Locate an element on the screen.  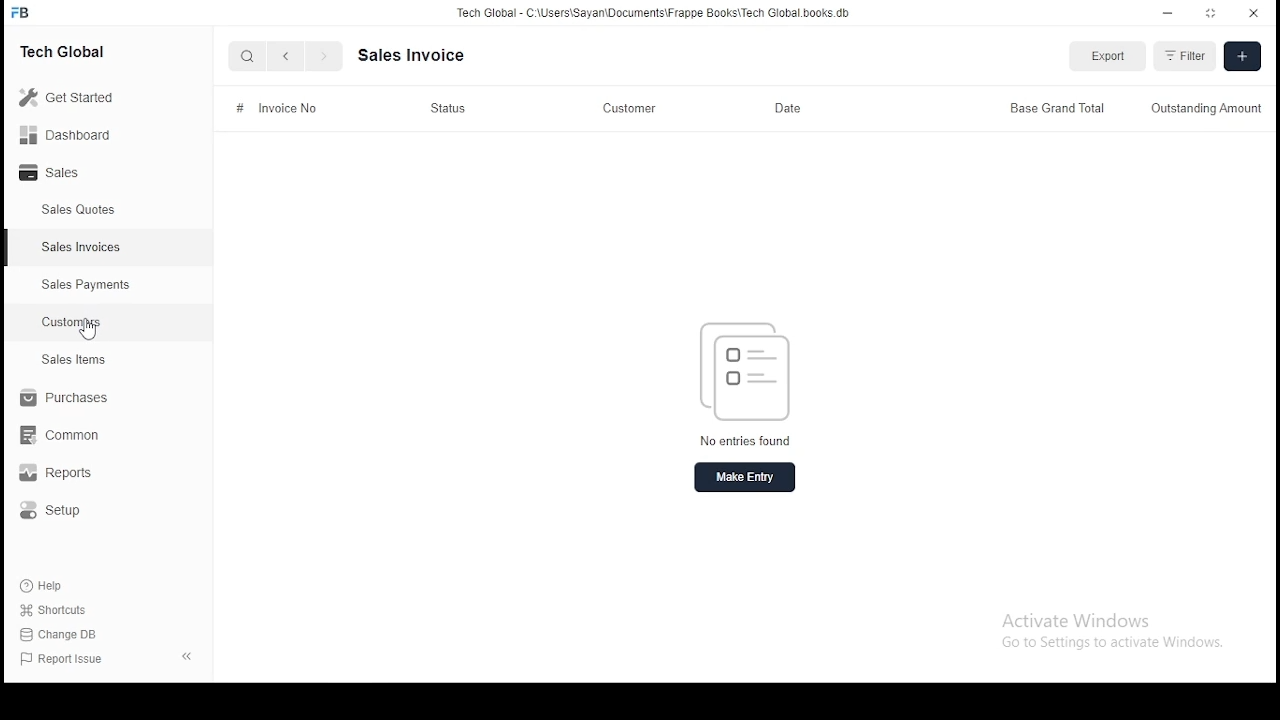
status is located at coordinates (449, 109).